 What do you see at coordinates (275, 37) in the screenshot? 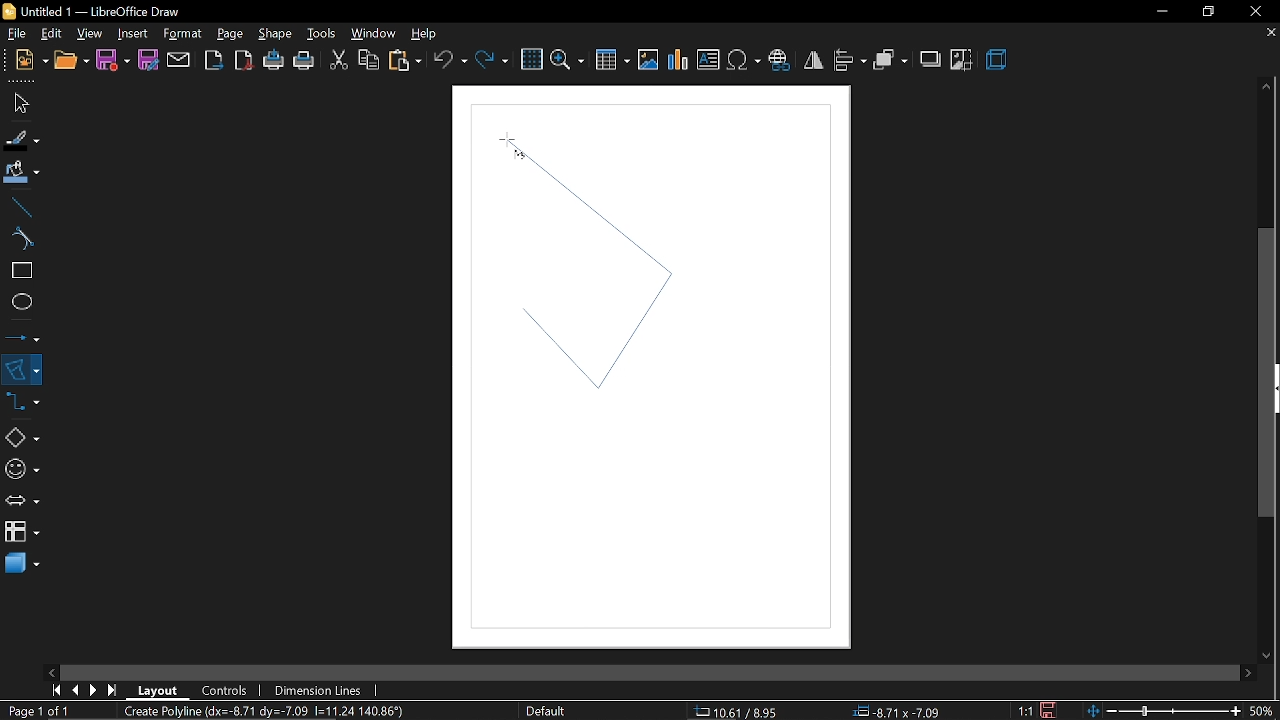
I see `shape` at bounding box center [275, 37].